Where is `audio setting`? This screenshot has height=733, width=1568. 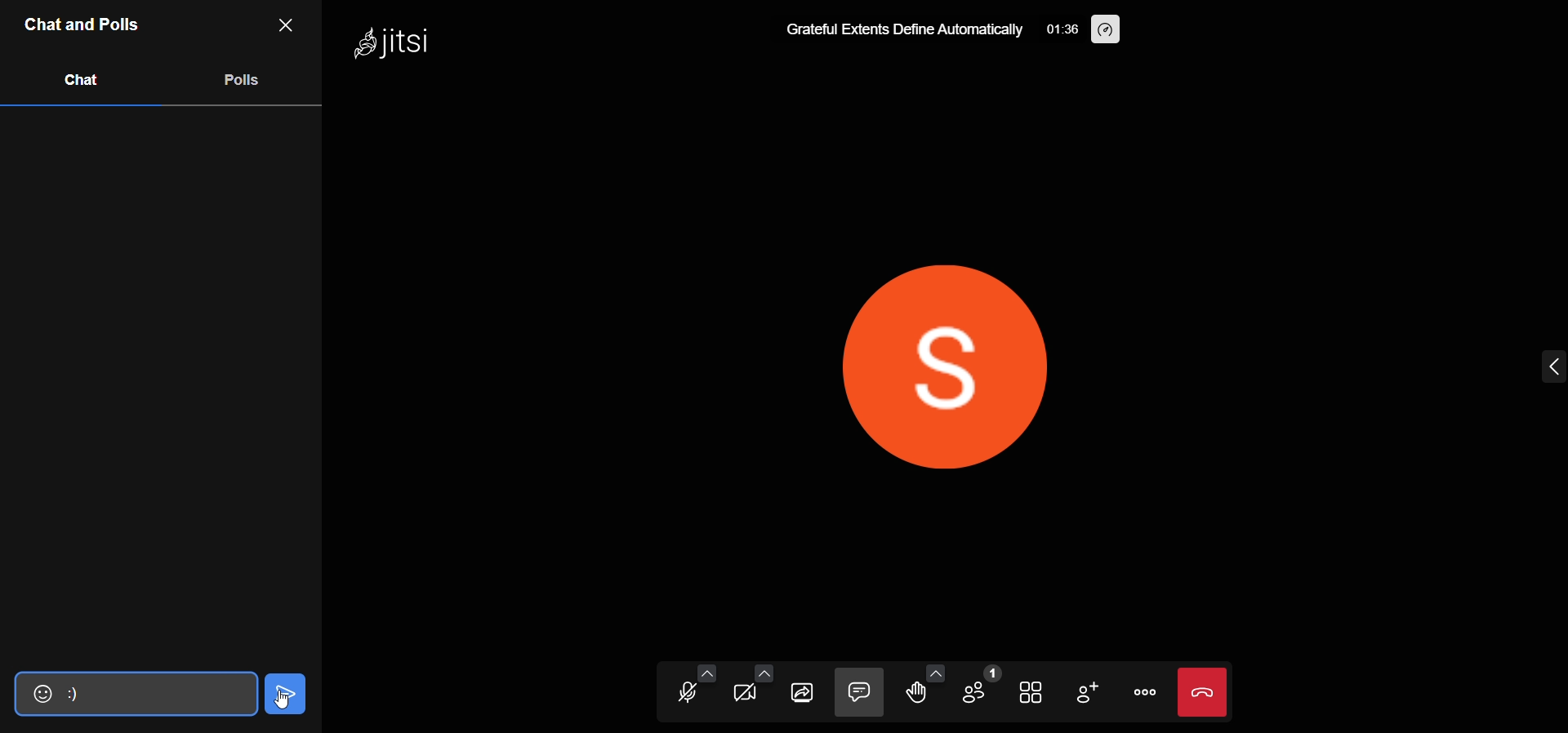
audio setting is located at coordinates (706, 670).